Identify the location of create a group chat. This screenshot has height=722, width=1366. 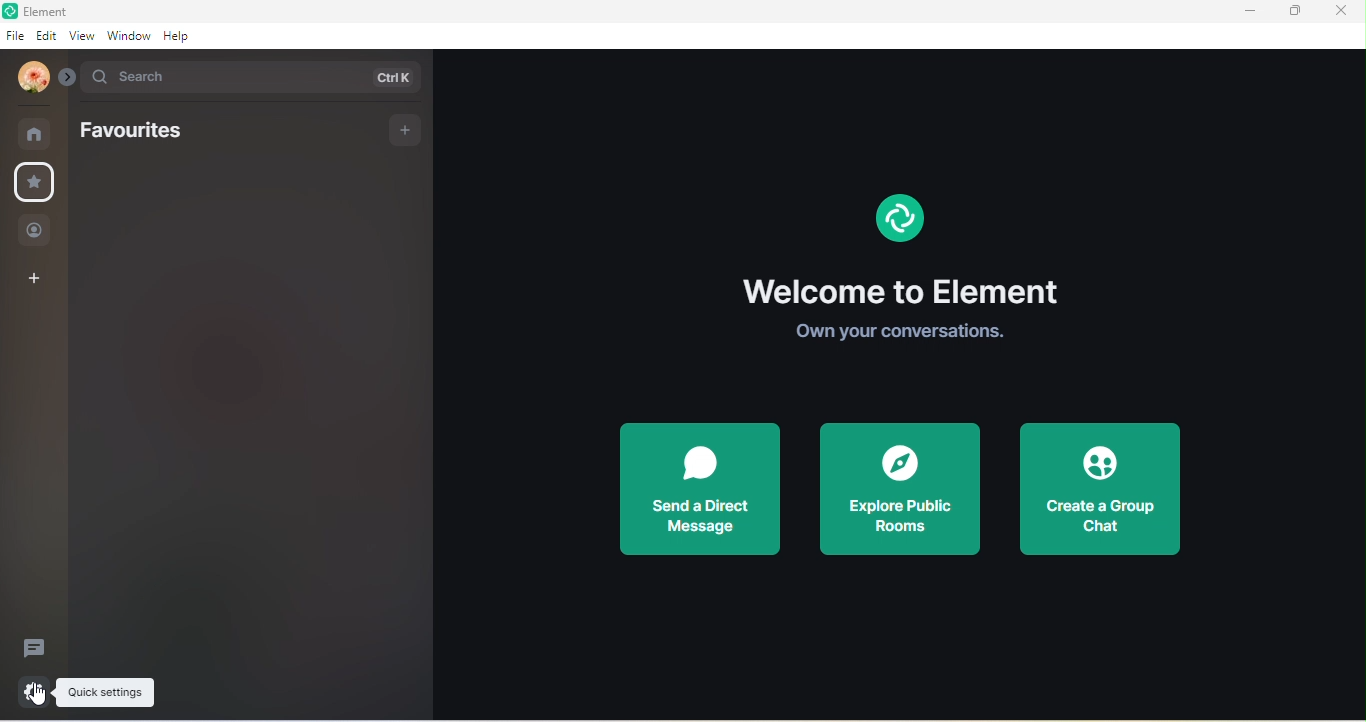
(1099, 484).